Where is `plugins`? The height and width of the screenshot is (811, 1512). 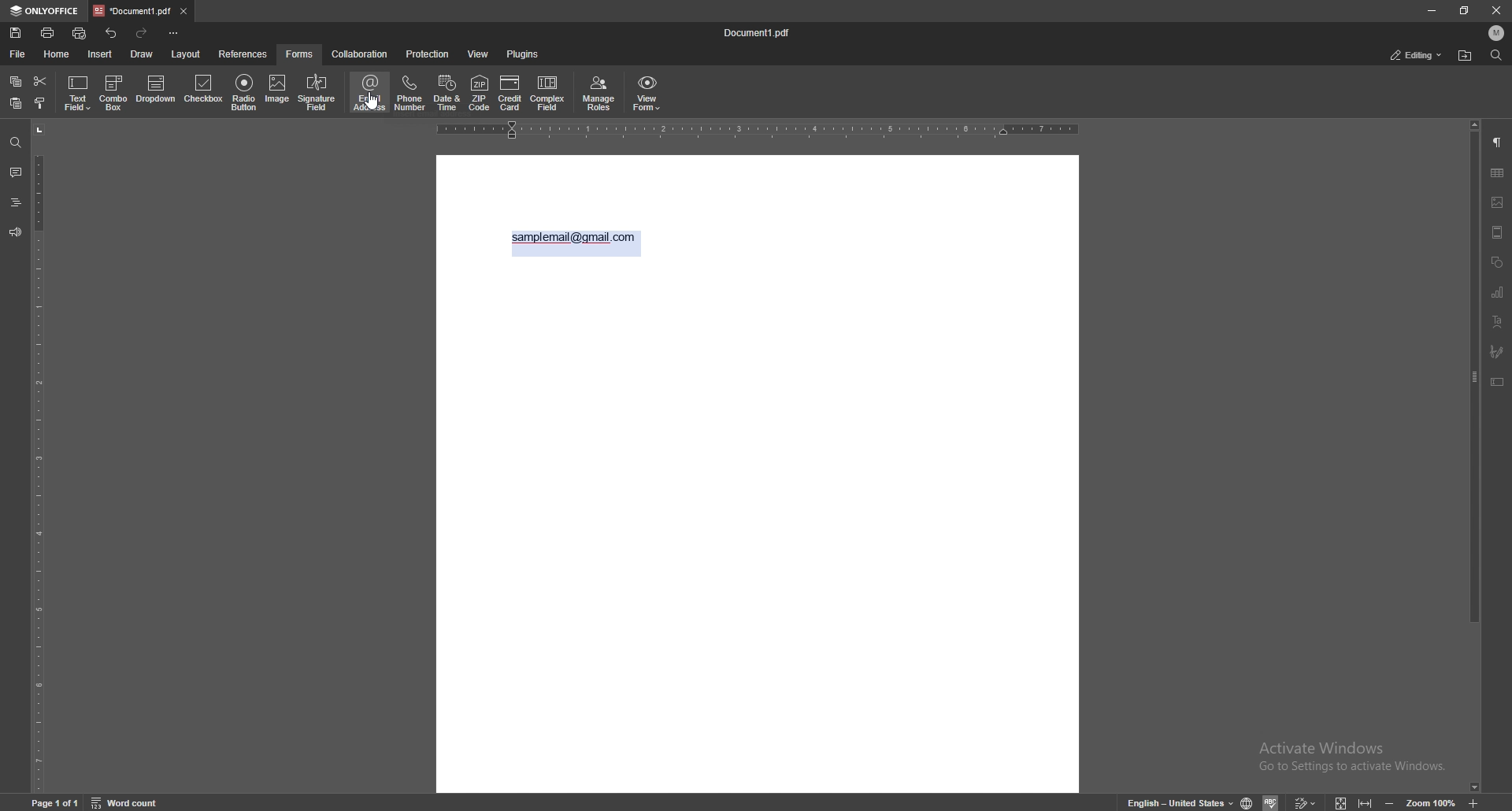
plugins is located at coordinates (522, 54).